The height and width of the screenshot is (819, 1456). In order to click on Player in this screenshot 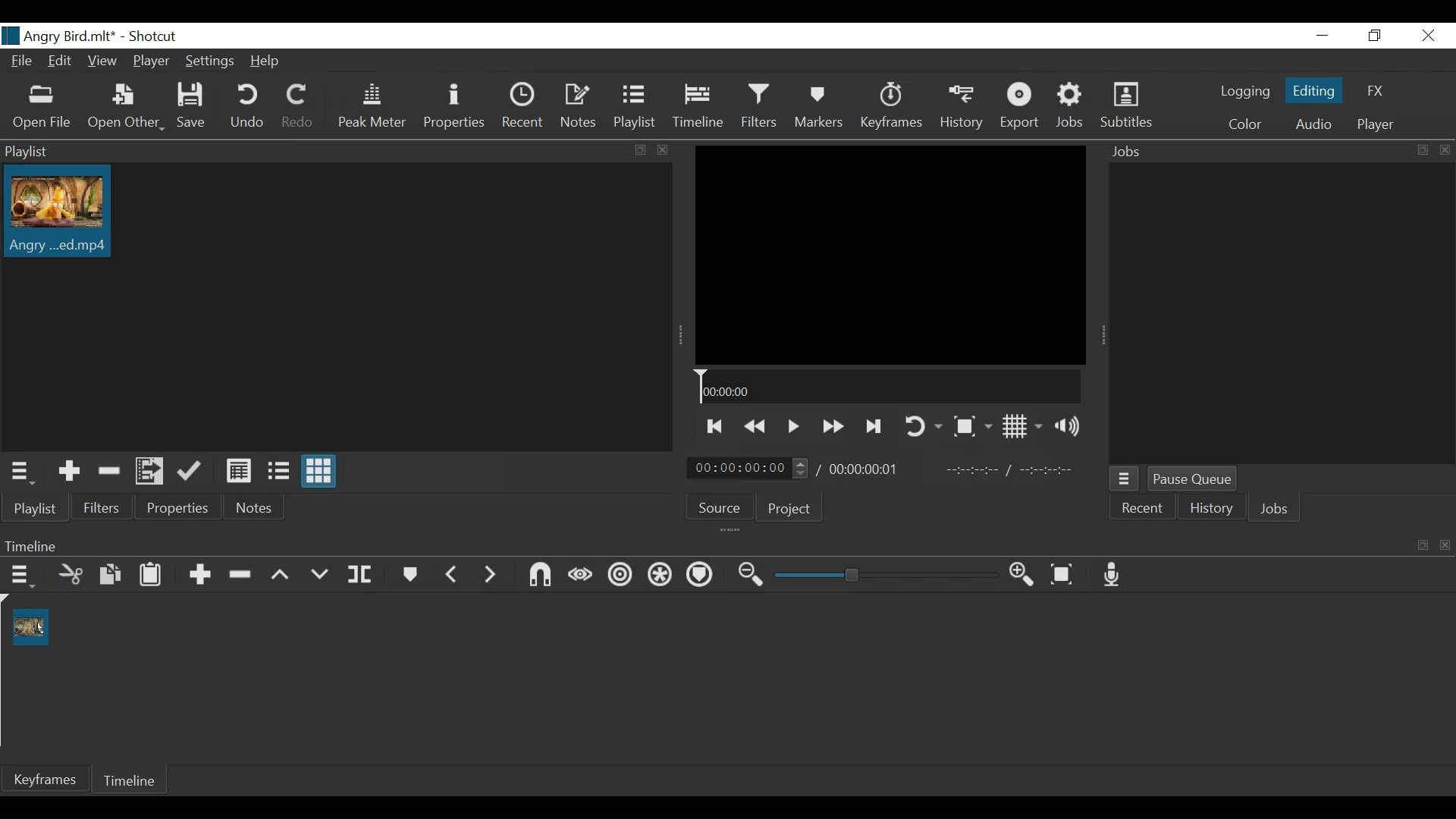, I will do `click(151, 61)`.